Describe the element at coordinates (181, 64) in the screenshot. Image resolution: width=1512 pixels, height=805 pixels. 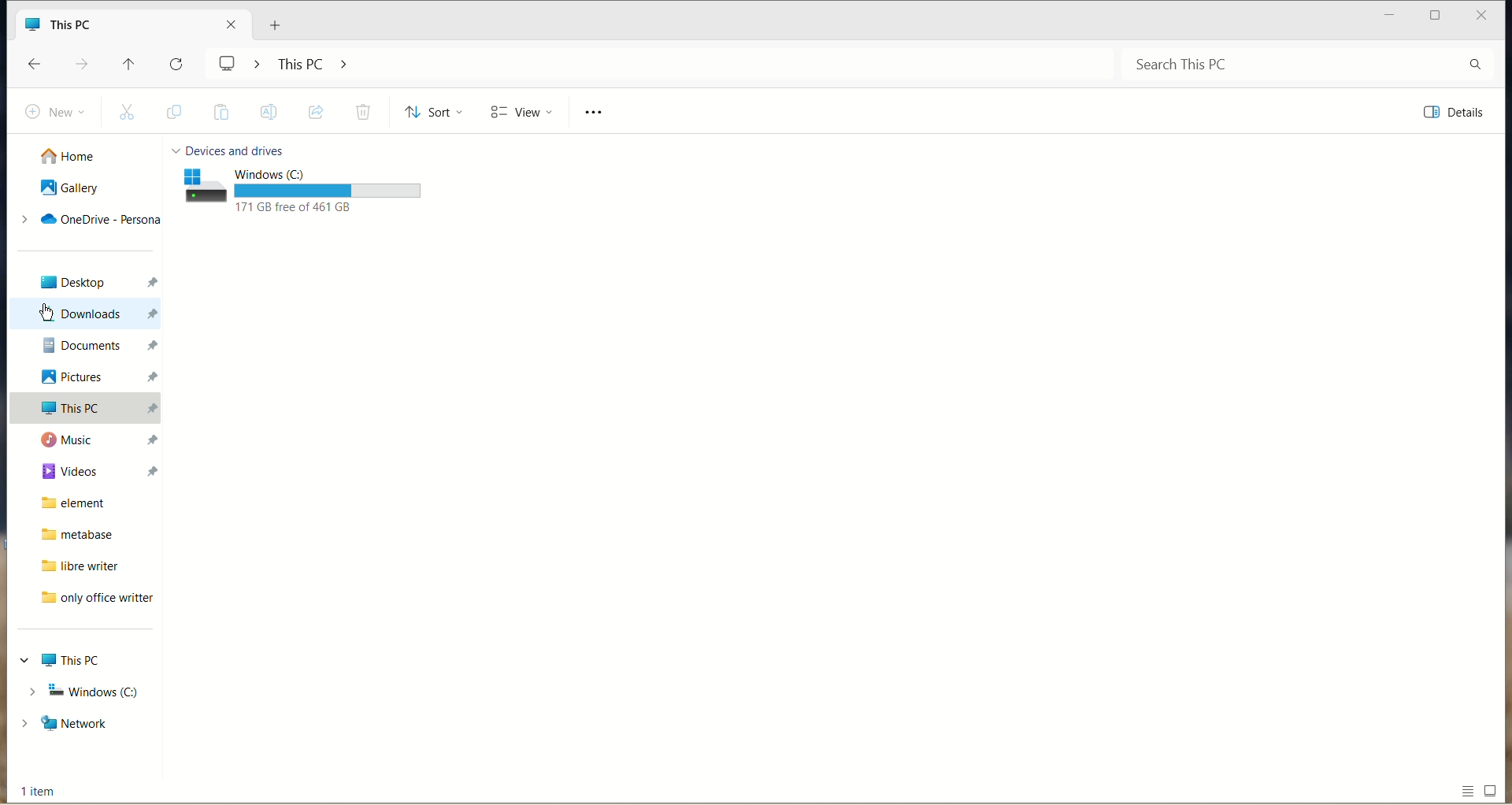
I see `refresh` at that location.